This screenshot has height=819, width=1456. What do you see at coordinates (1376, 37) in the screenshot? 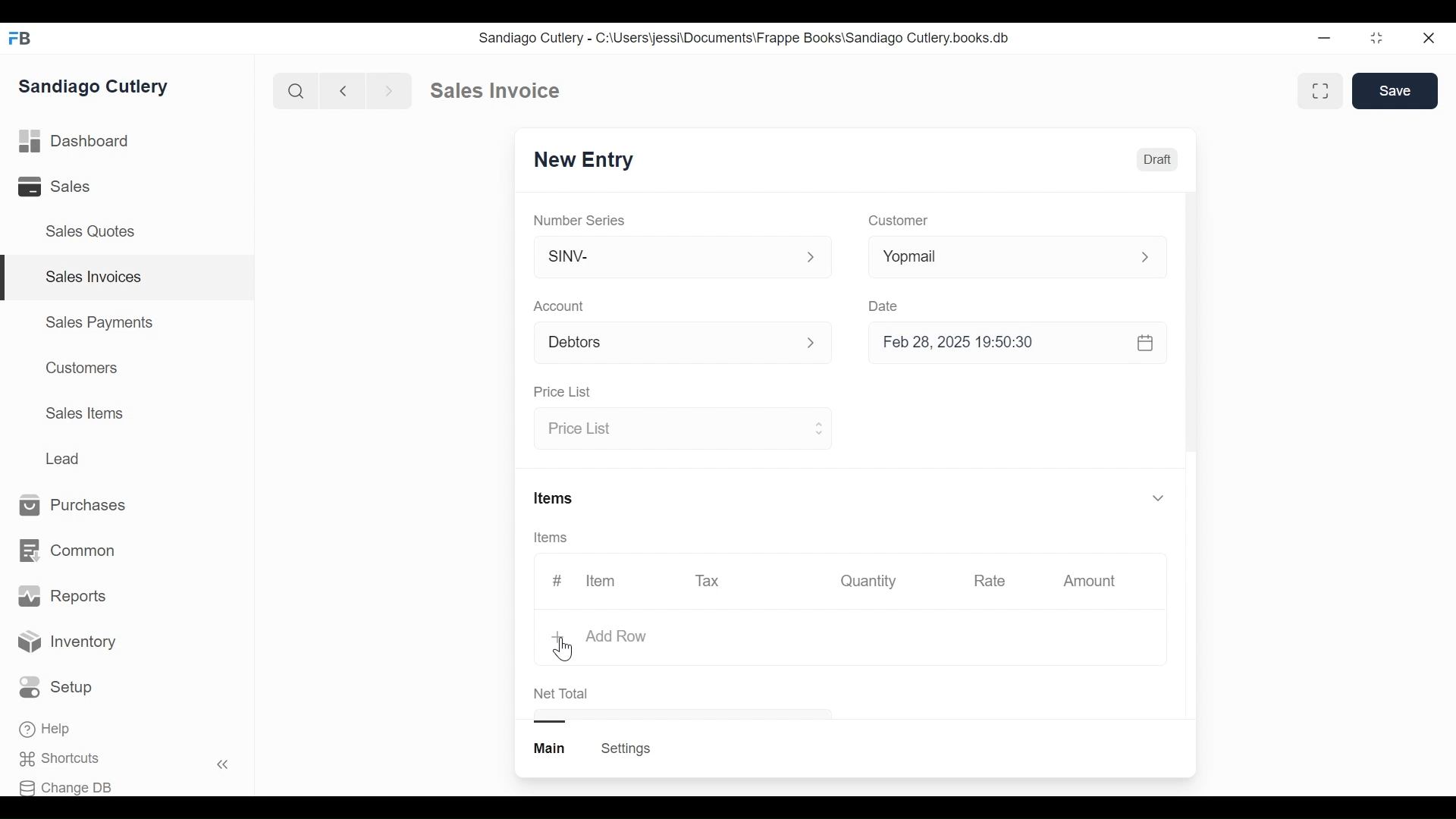
I see `restore` at bounding box center [1376, 37].